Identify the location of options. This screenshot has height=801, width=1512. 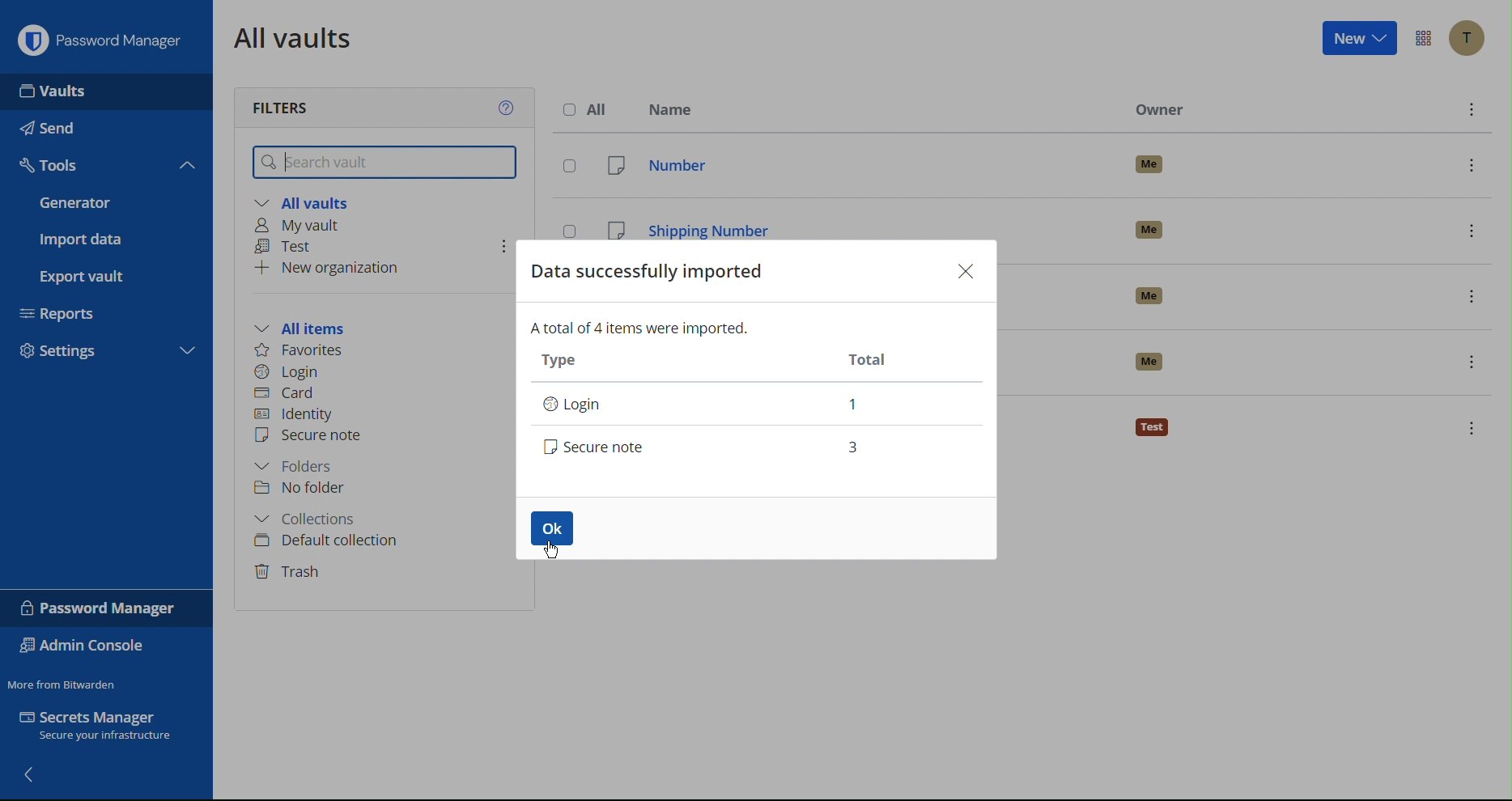
(1471, 362).